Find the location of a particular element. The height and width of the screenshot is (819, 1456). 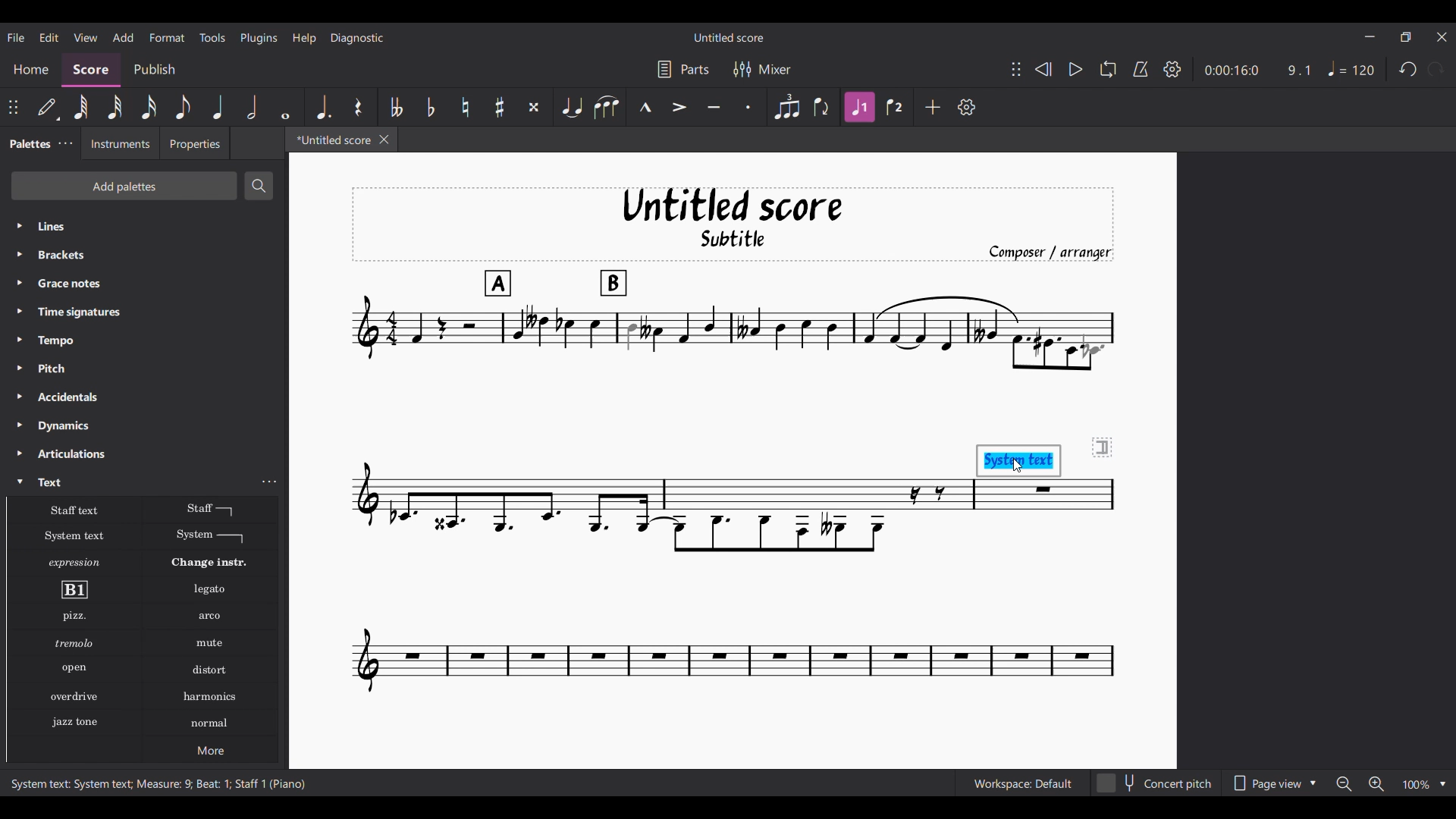

Rewind is located at coordinates (1043, 69).